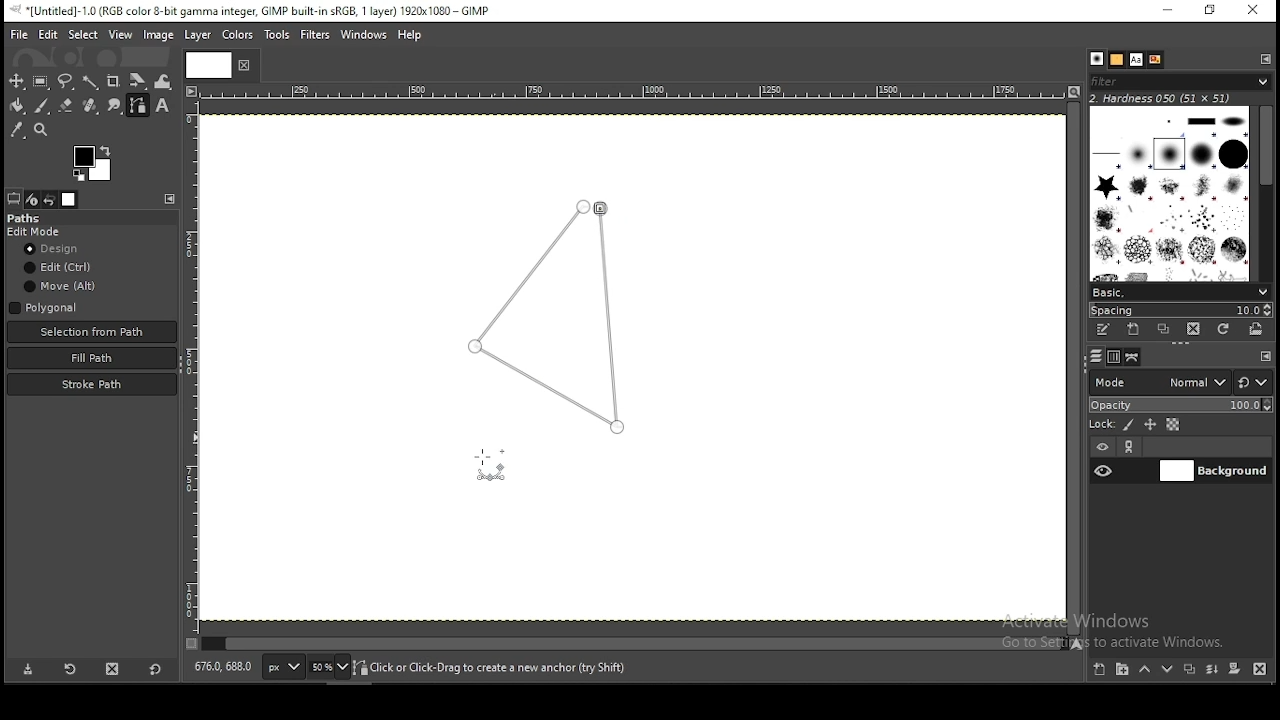 Image resolution: width=1280 pixels, height=720 pixels. What do you see at coordinates (1170, 99) in the screenshot?
I see `2. hardness 050 (51x51)` at bounding box center [1170, 99].